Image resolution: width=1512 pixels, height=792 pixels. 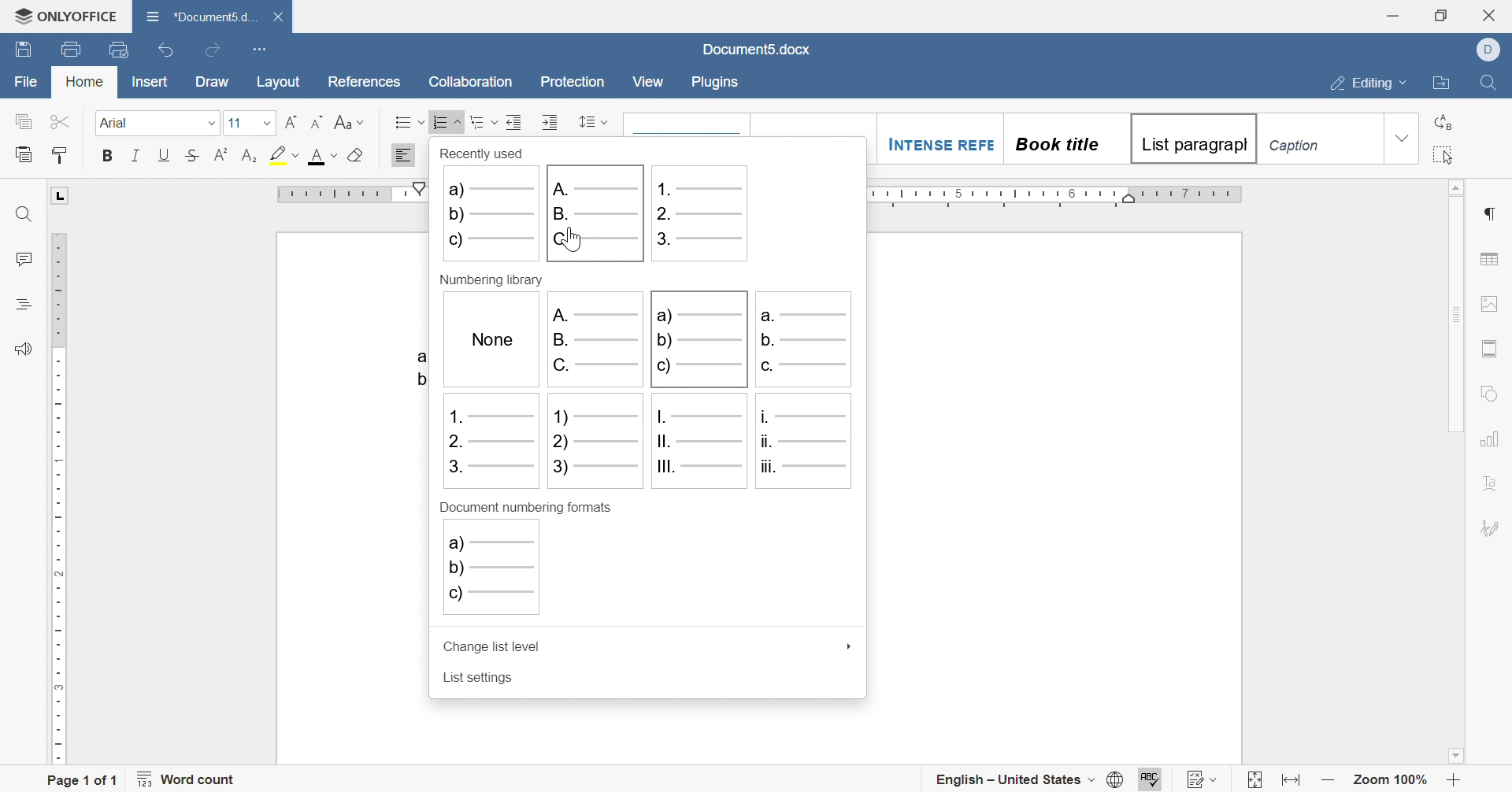 I want to click on bold, so click(x=107, y=155).